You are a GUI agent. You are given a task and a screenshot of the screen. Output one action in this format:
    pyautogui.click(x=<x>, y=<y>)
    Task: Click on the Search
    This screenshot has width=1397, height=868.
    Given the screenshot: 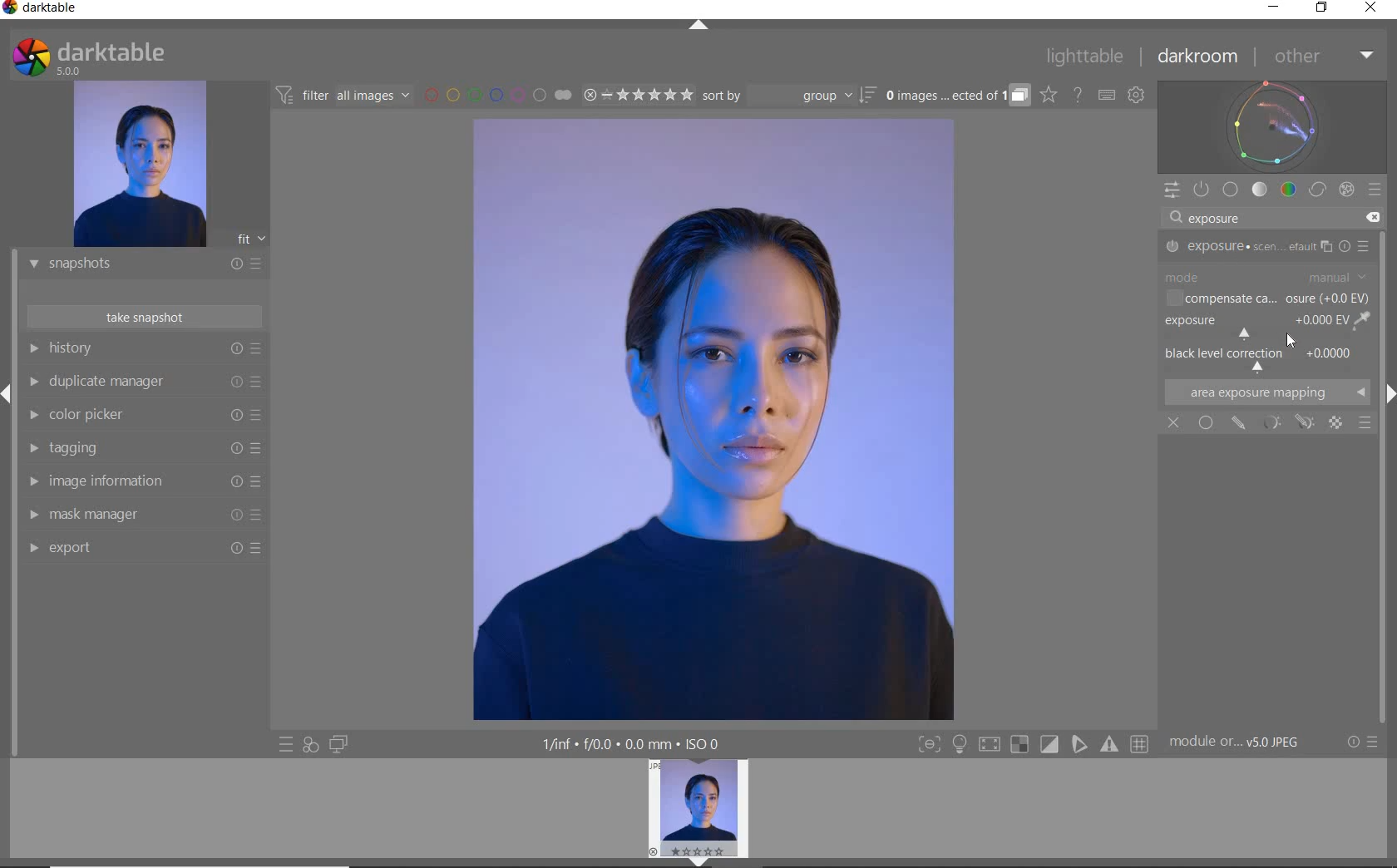 What is the action you would take?
    pyautogui.click(x=1173, y=219)
    